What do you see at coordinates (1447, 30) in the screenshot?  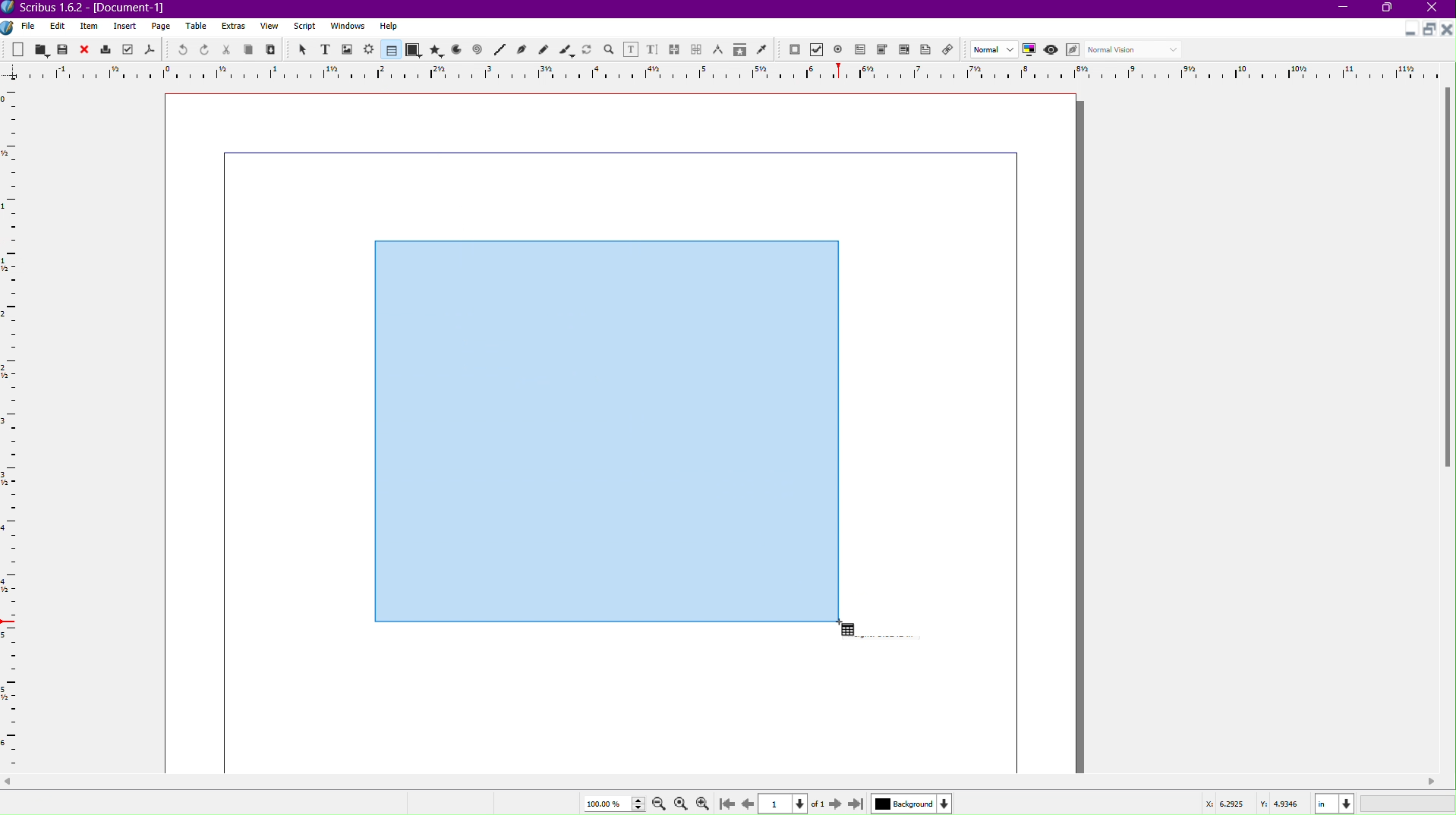 I see `Close` at bounding box center [1447, 30].